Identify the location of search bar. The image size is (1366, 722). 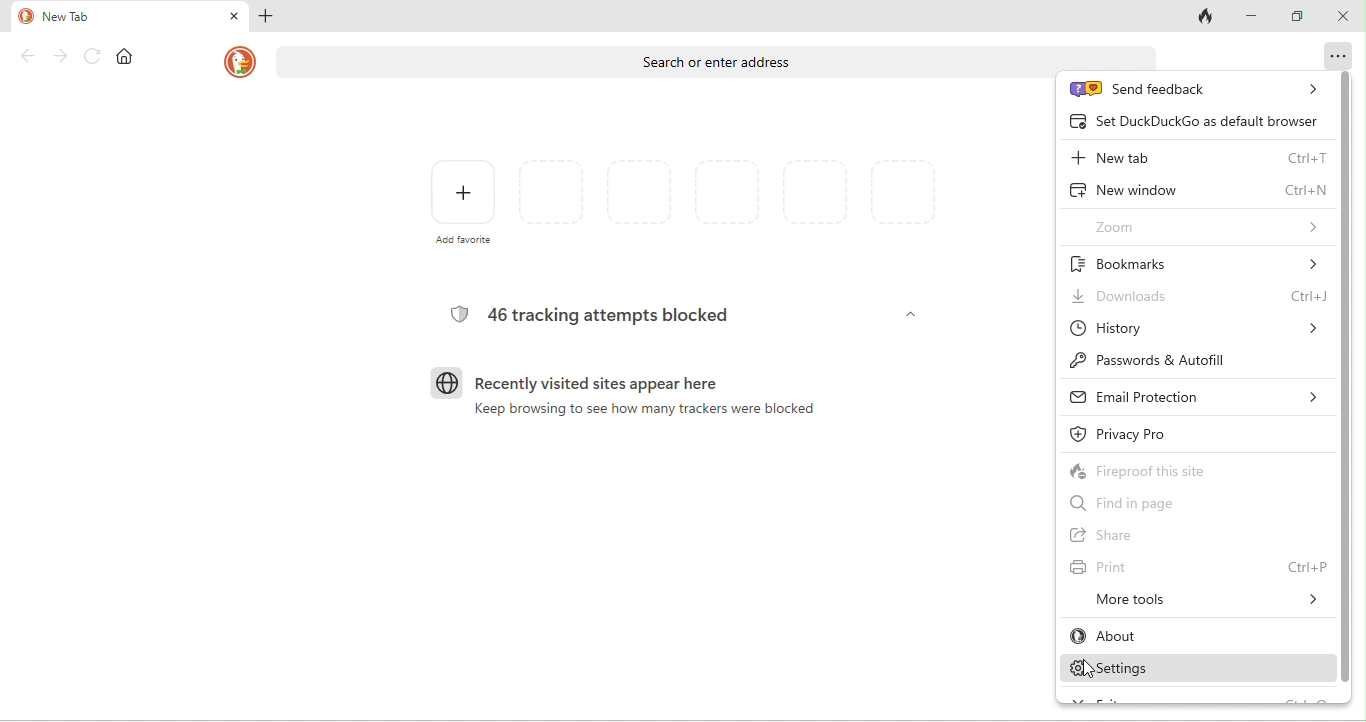
(720, 58).